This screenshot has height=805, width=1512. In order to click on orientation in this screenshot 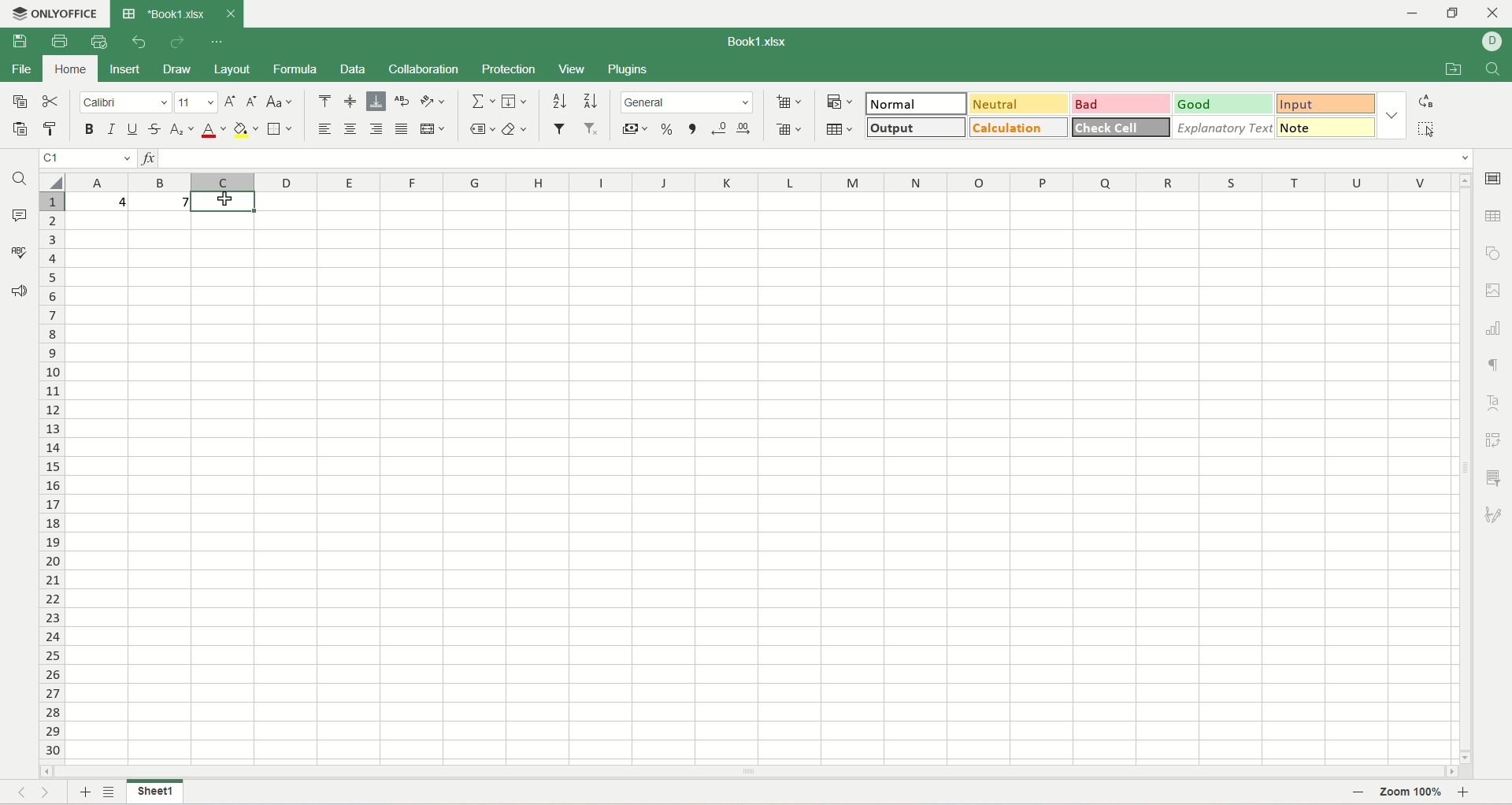, I will do `click(432, 102)`.